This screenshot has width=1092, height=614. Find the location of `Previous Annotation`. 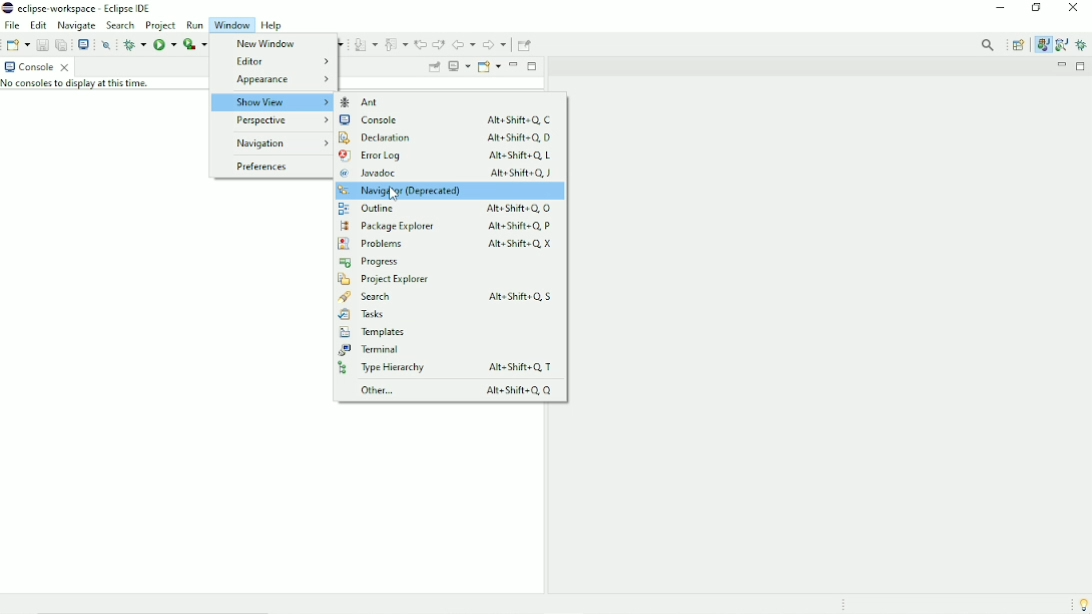

Previous Annotation is located at coordinates (396, 44).